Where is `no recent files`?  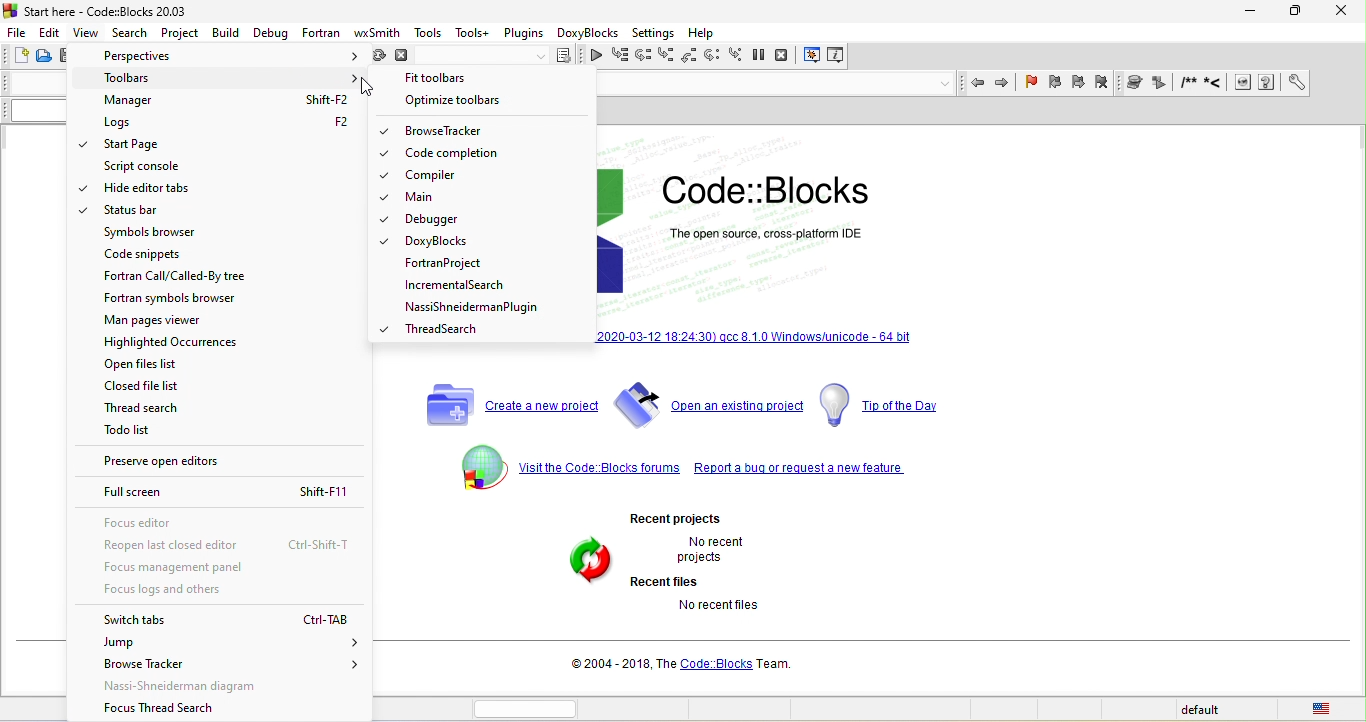
no recent files is located at coordinates (715, 608).